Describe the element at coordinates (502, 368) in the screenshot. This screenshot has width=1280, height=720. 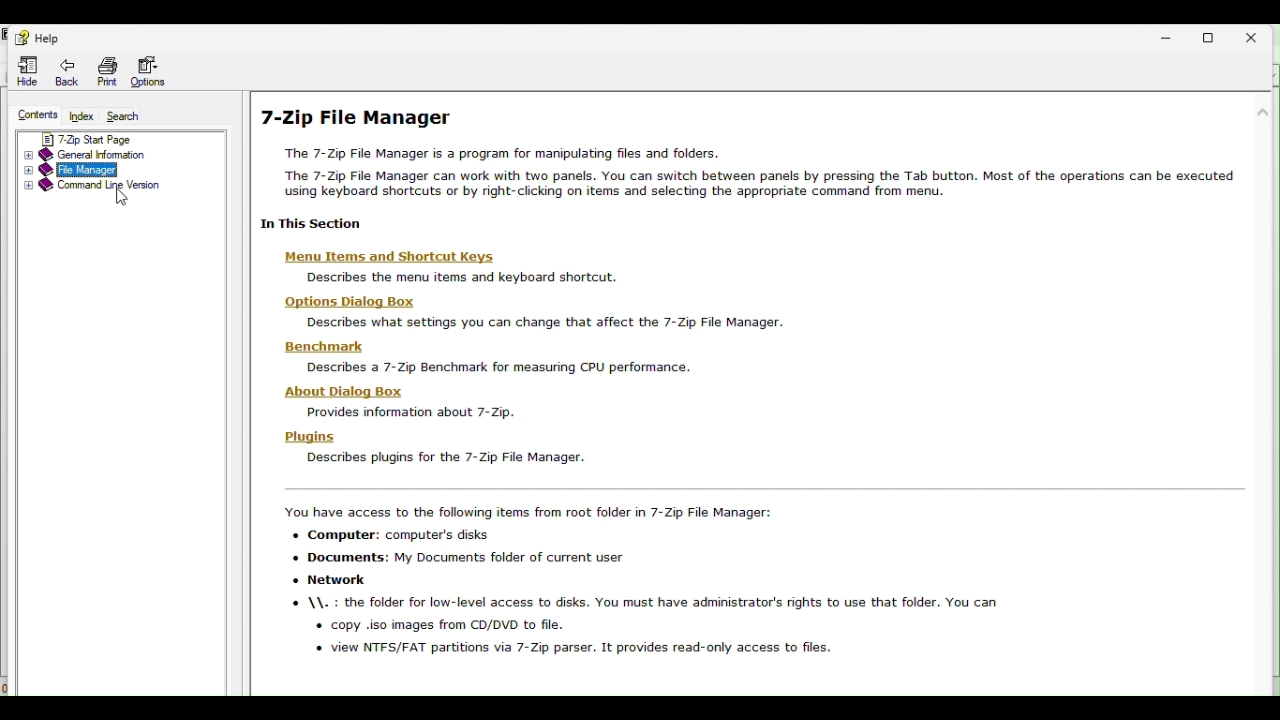
I see `Describes a 7-Zip Benchmark for measuring CPU performance.` at that location.